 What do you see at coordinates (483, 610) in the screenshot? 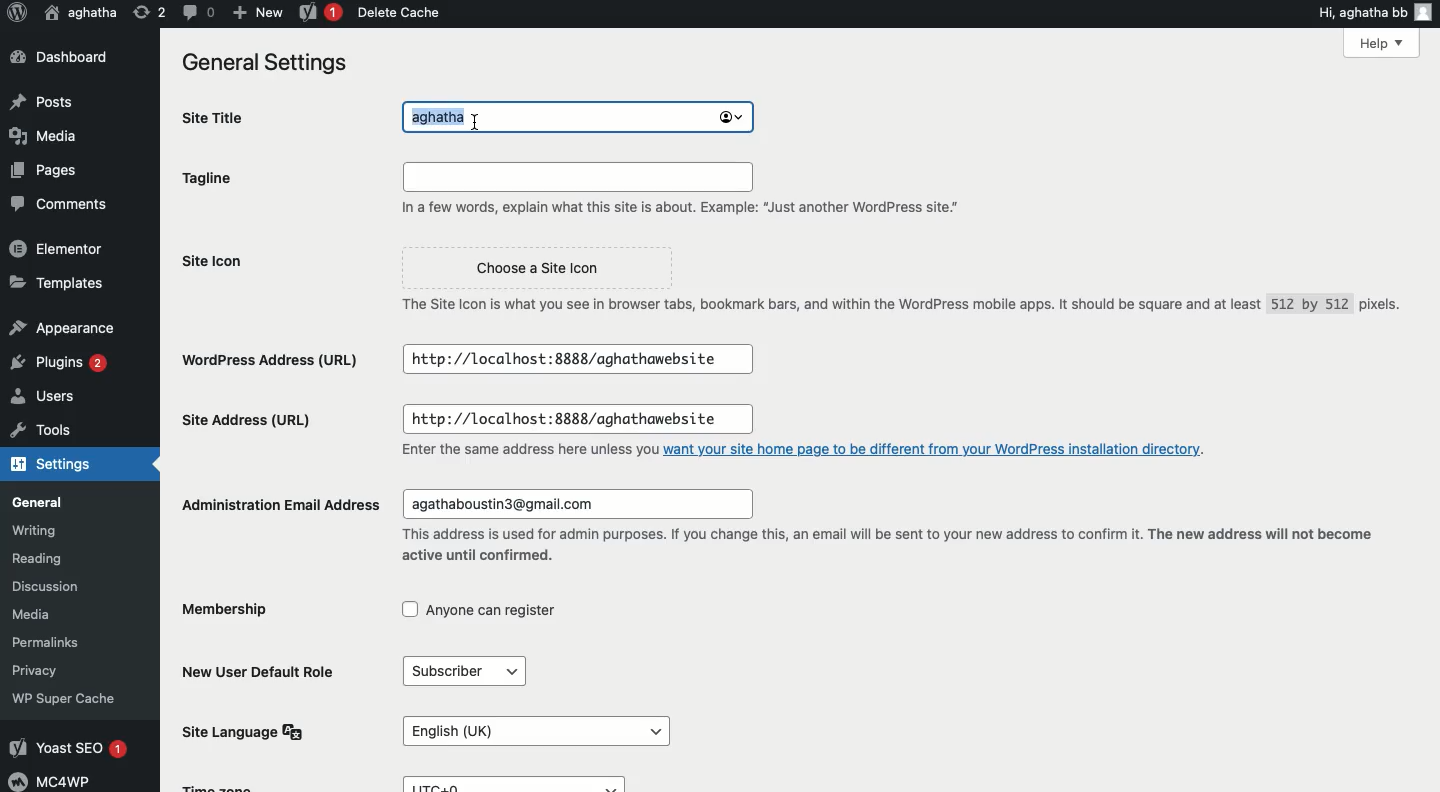
I see `Anyone can register` at bounding box center [483, 610].